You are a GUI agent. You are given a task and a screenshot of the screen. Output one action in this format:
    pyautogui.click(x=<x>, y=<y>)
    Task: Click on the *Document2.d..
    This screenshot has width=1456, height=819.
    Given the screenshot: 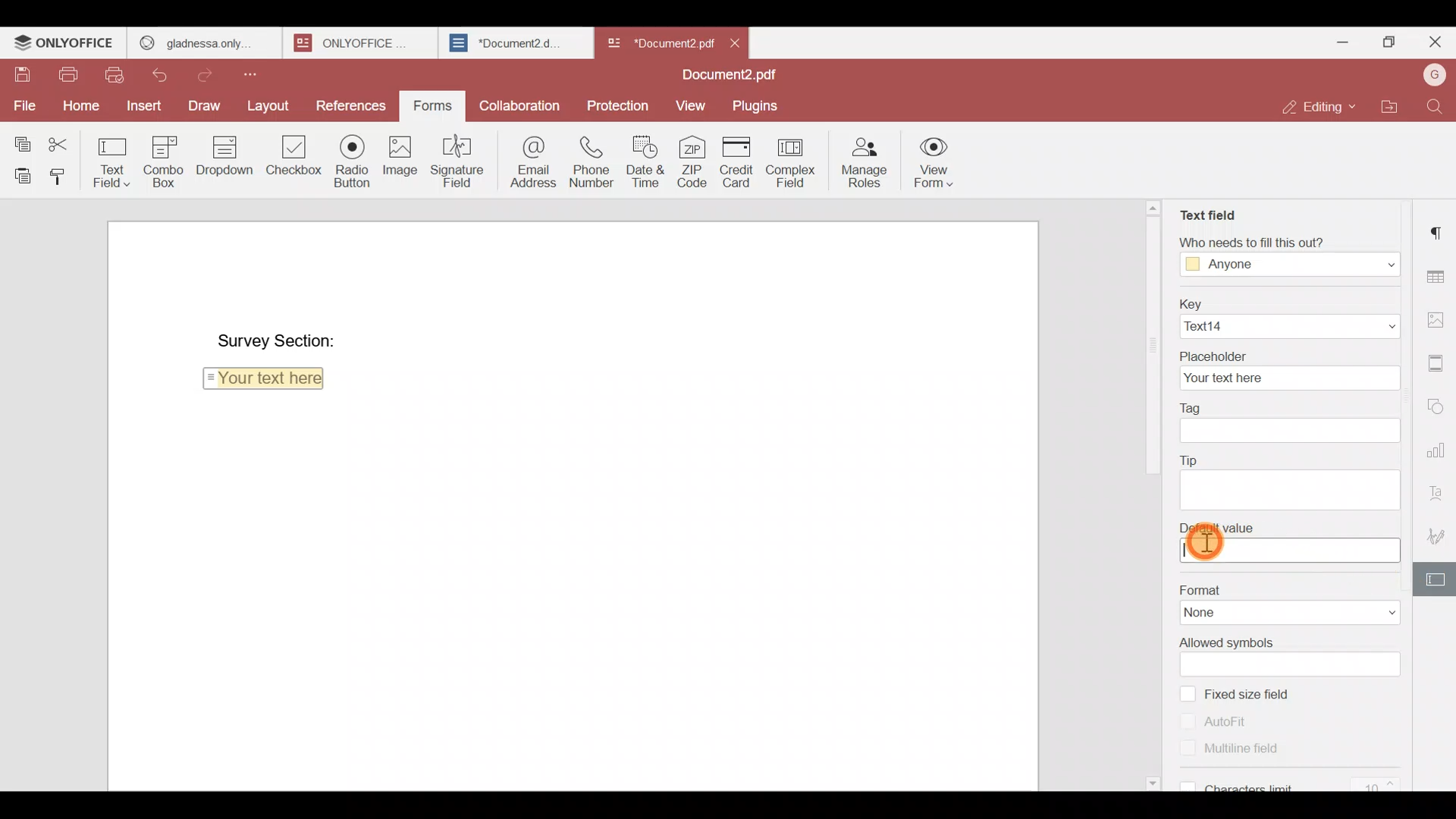 What is the action you would take?
    pyautogui.click(x=507, y=41)
    